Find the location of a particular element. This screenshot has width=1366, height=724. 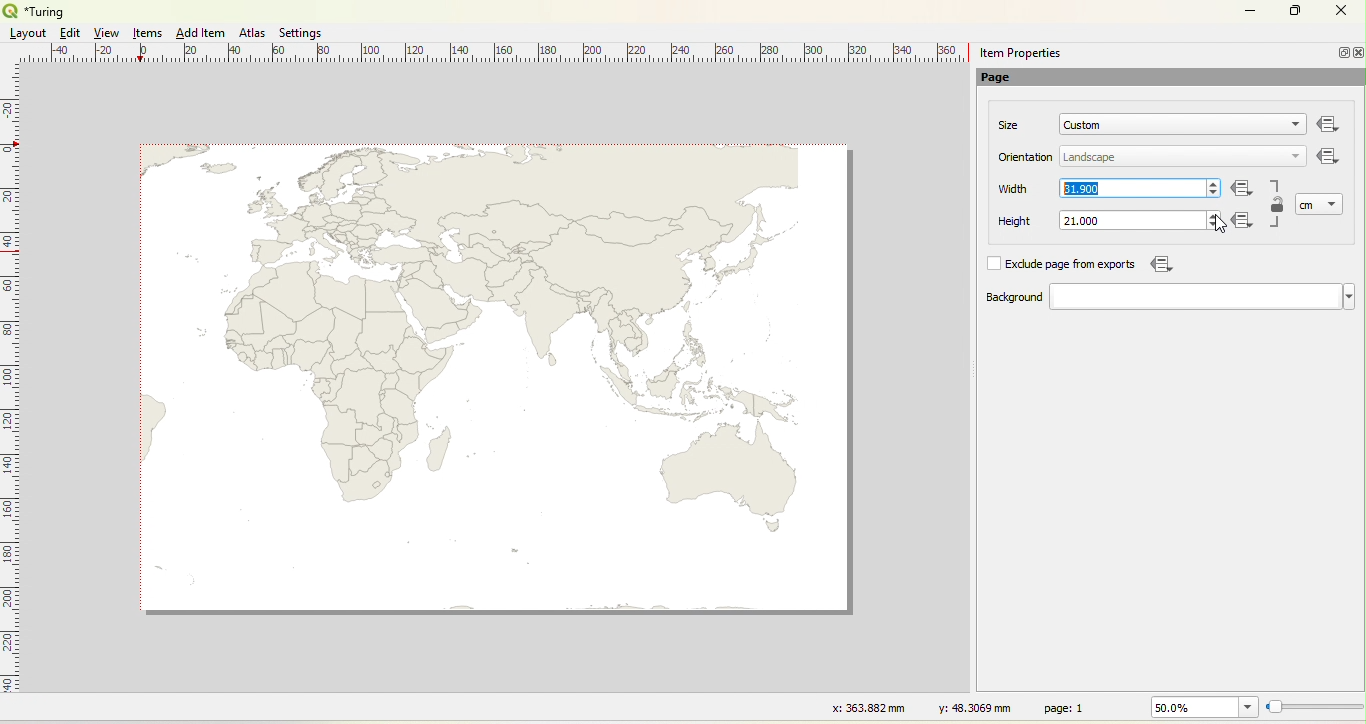

close is located at coordinates (1357, 53).